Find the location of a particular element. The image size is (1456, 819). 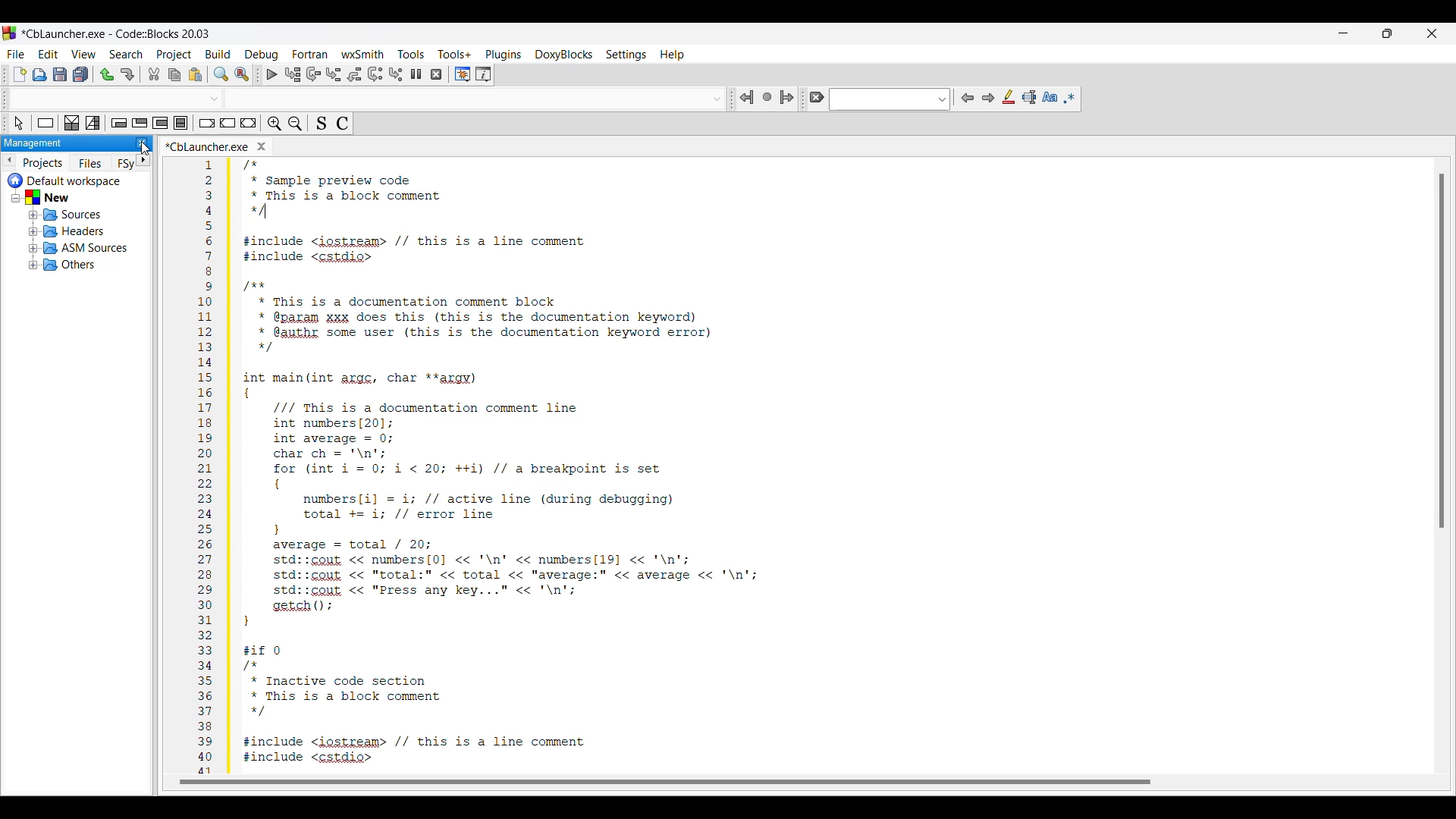

Stop debugger is located at coordinates (436, 74).